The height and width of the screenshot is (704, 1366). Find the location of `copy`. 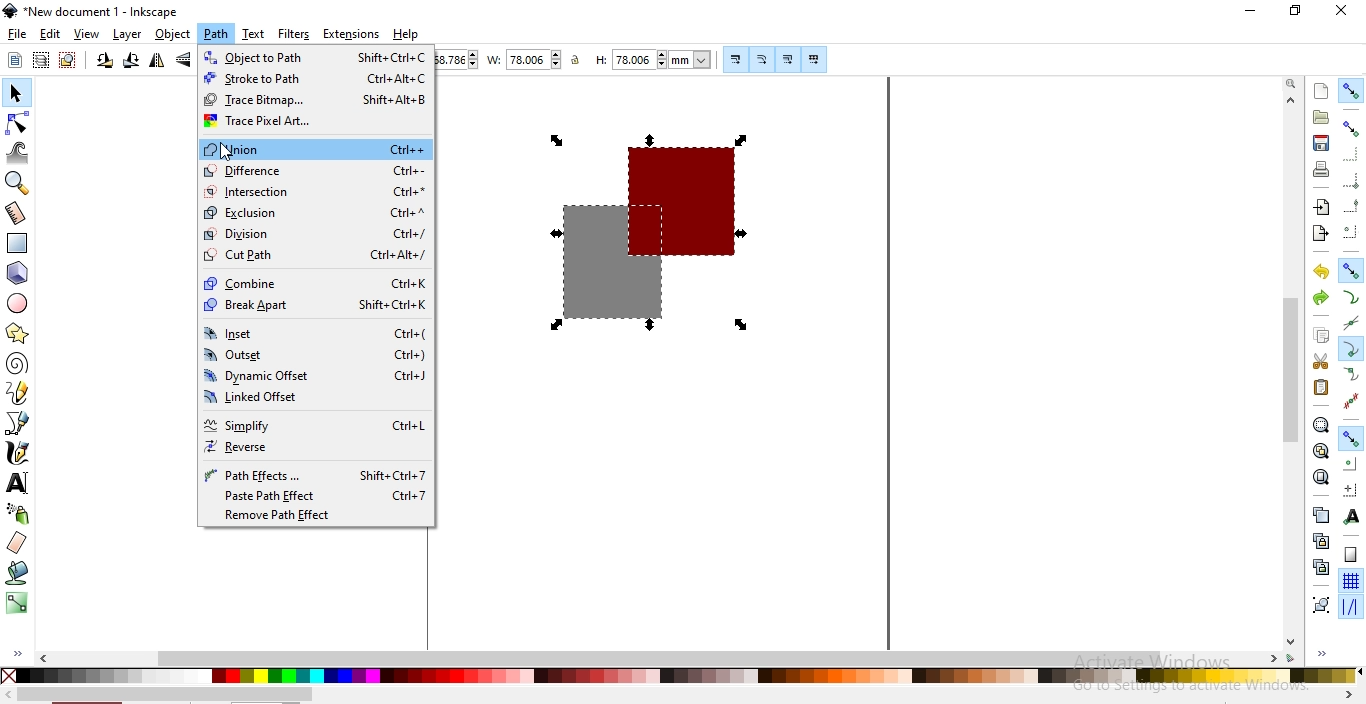

copy is located at coordinates (1321, 335).